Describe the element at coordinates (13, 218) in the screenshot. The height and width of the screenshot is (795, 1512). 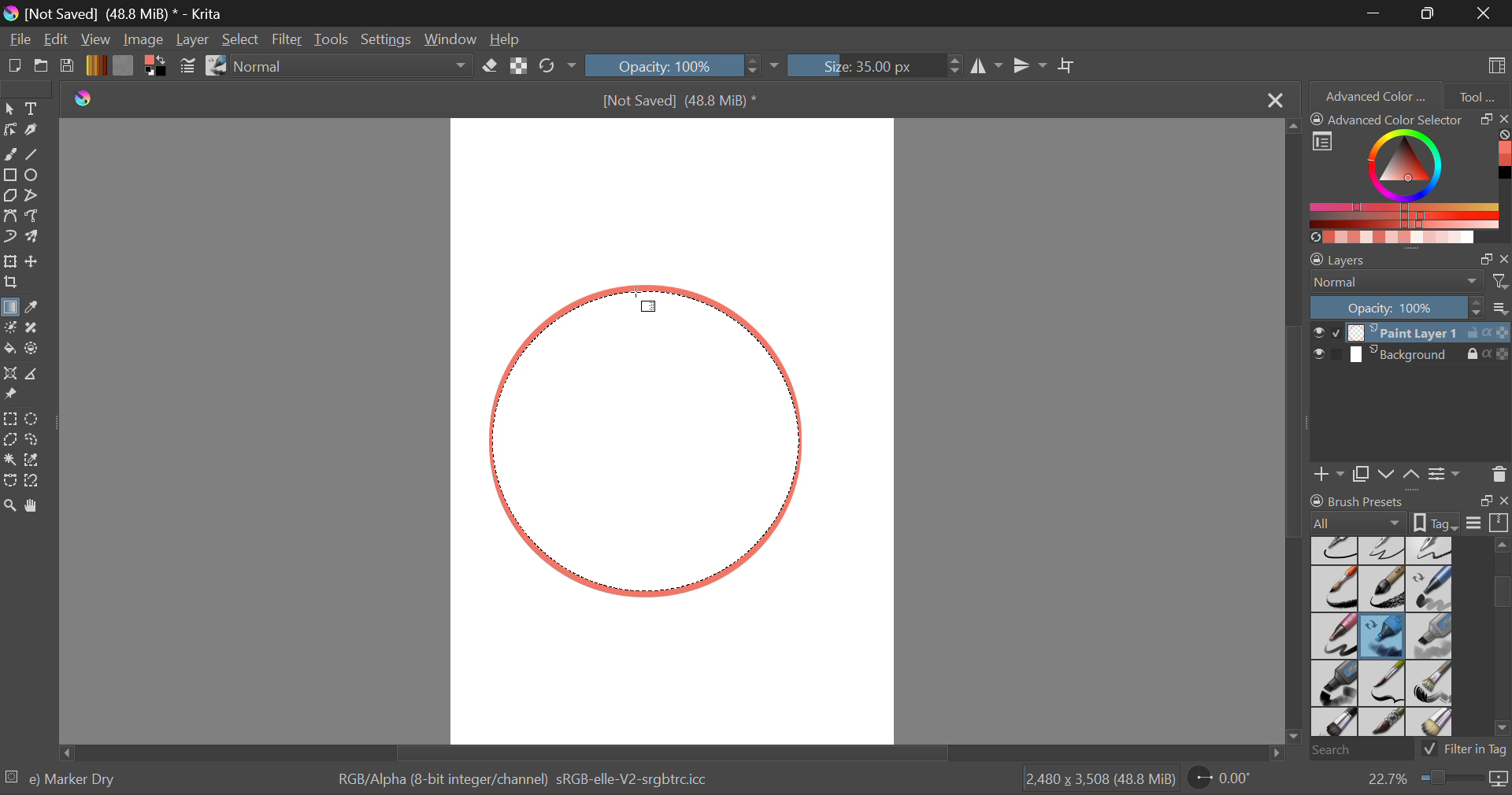
I see `Bezier Curve` at that location.